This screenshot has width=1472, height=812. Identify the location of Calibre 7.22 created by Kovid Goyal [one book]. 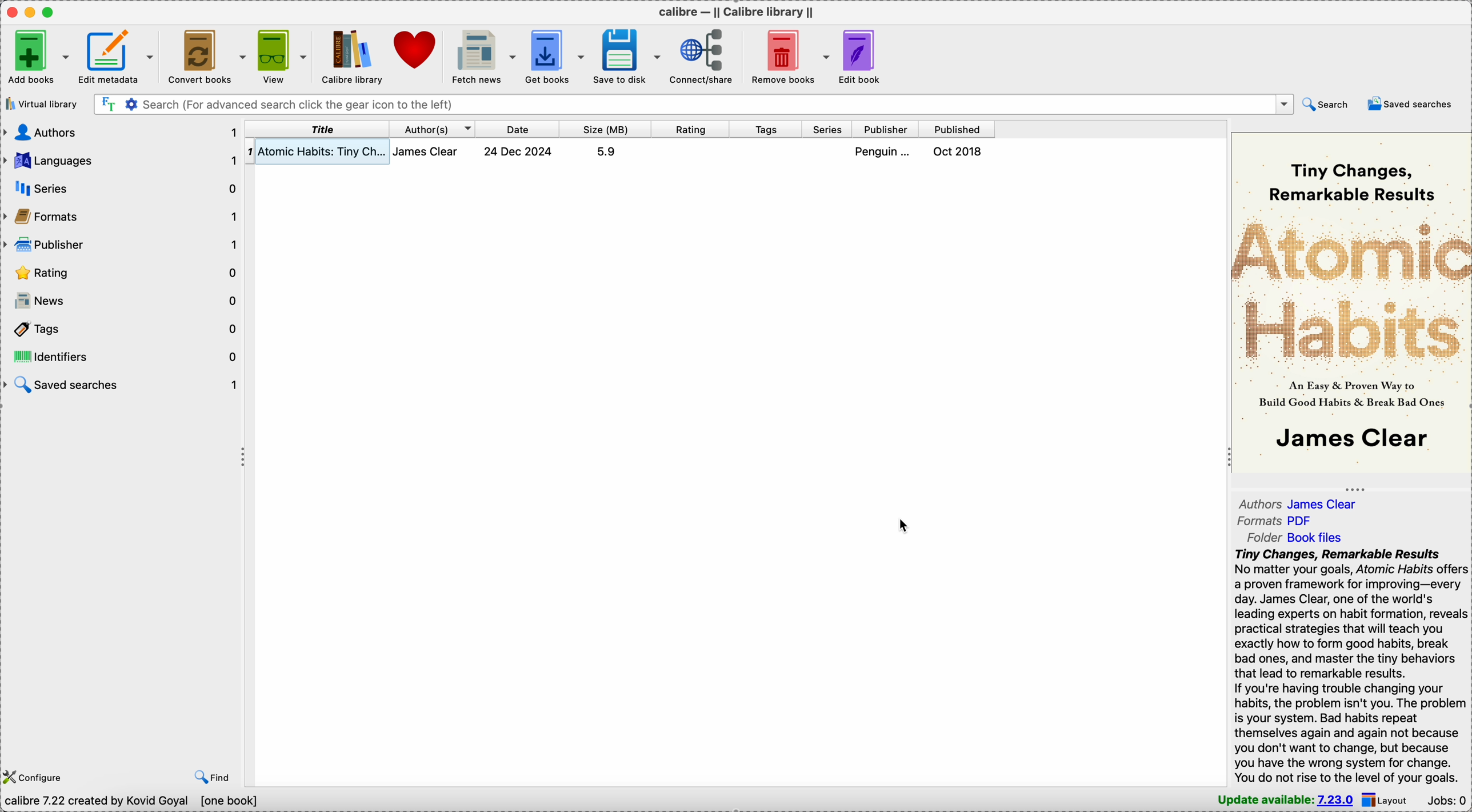
(134, 802).